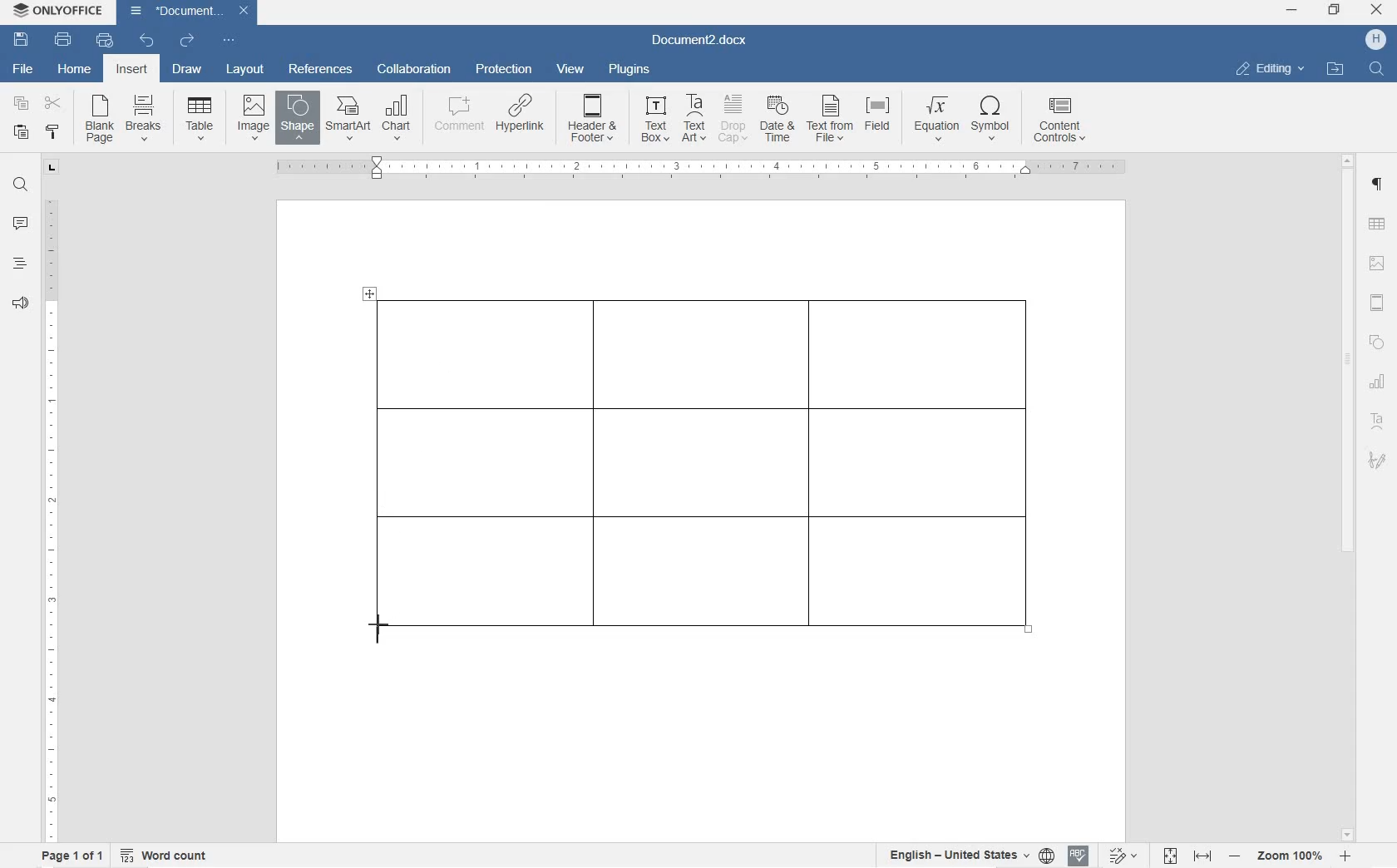 This screenshot has height=868, width=1397. What do you see at coordinates (1377, 342) in the screenshot?
I see `shape` at bounding box center [1377, 342].